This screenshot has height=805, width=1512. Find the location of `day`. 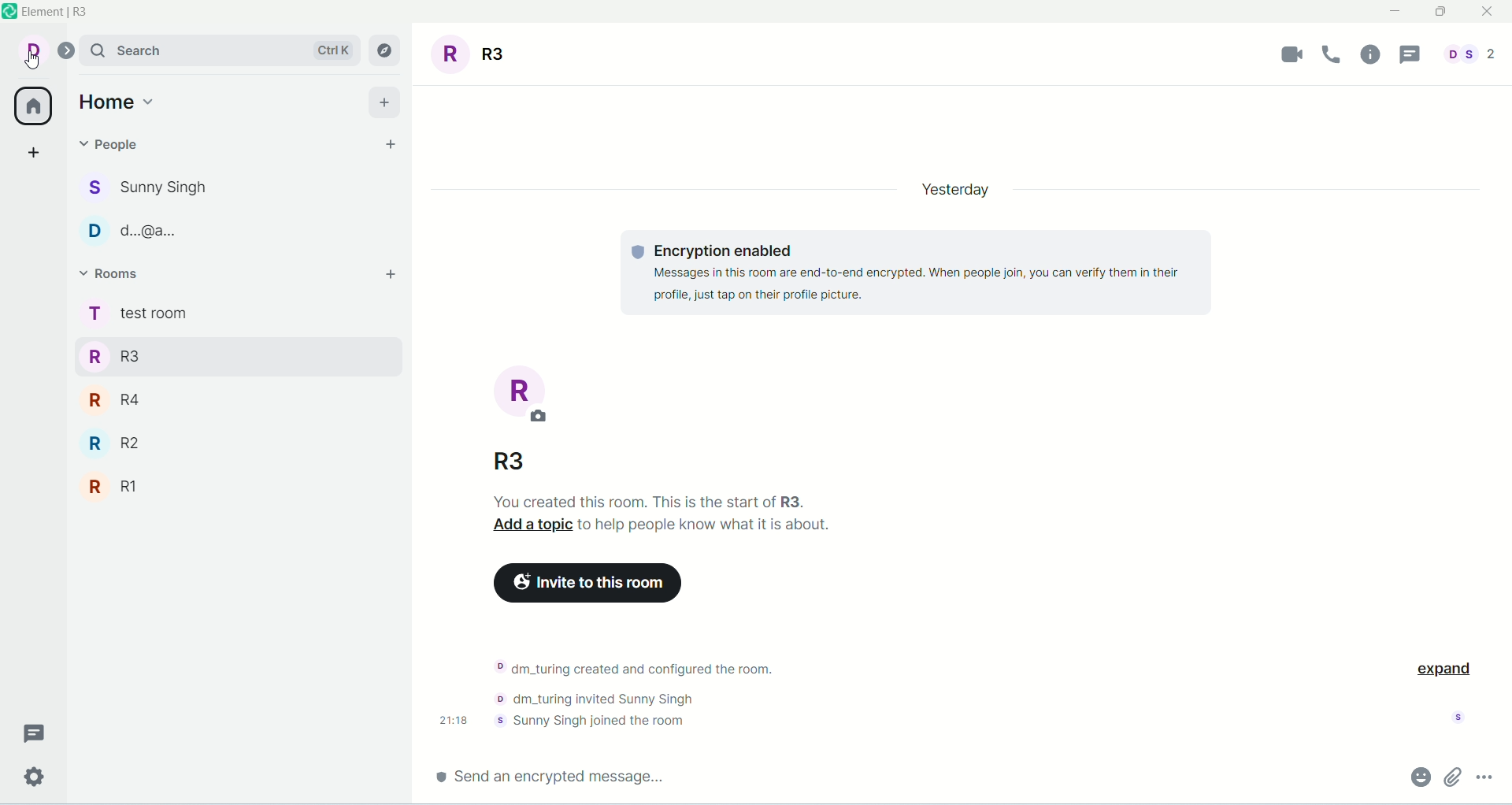

day is located at coordinates (951, 191).